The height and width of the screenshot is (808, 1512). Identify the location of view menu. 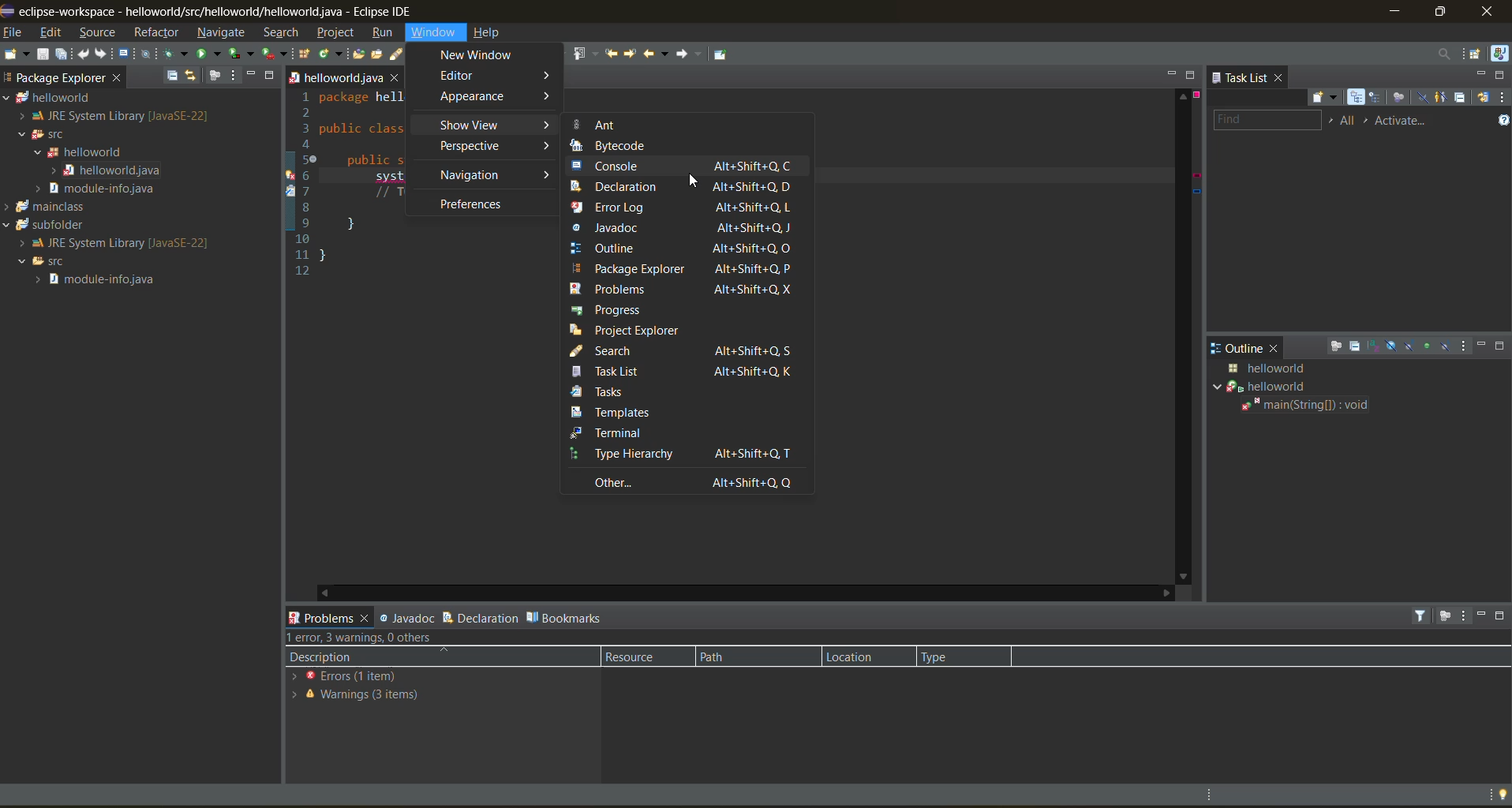
(1465, 346).